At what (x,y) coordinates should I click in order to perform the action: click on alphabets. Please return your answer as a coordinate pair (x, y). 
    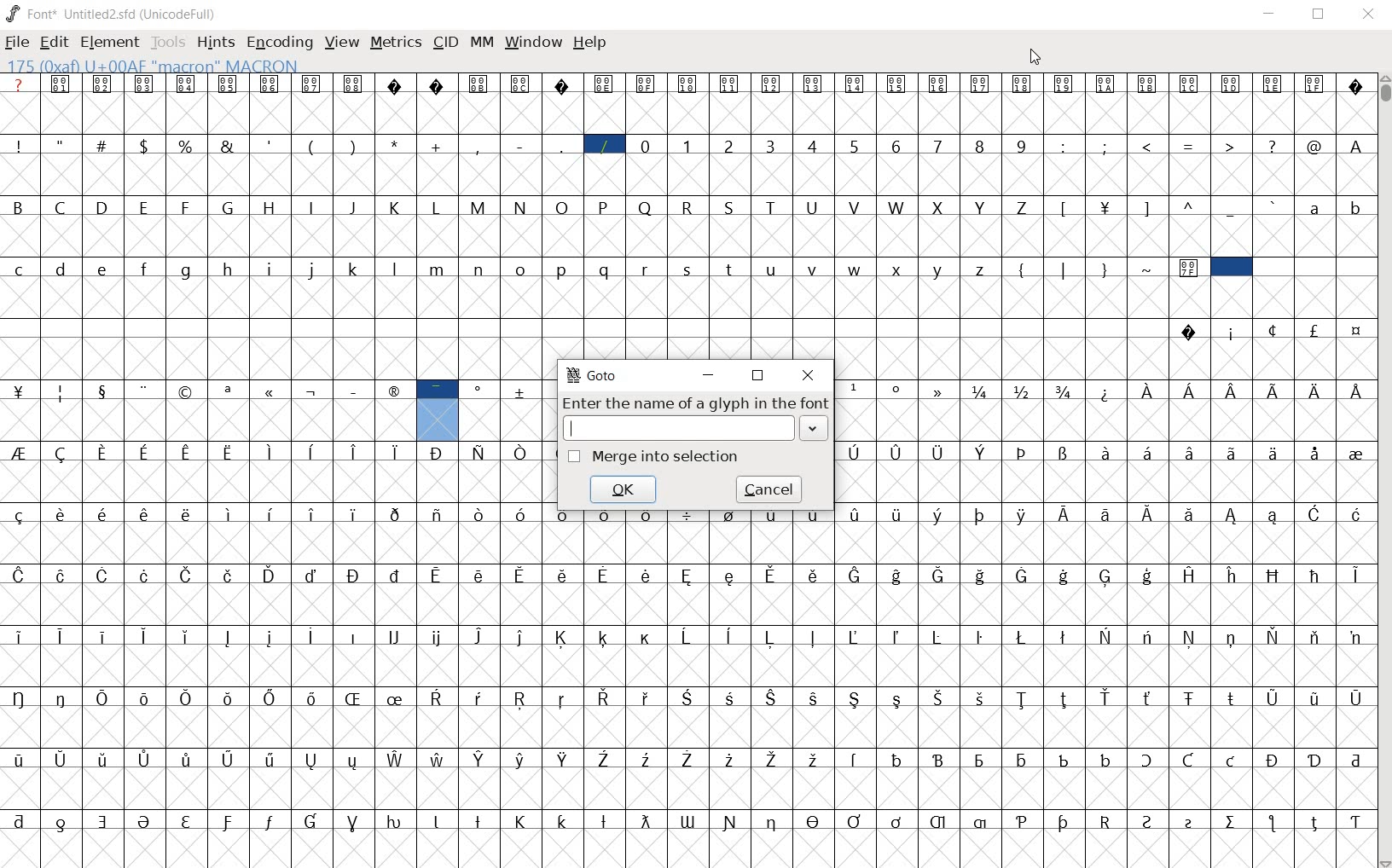
    Looking at the image, I should click on (520, 226).